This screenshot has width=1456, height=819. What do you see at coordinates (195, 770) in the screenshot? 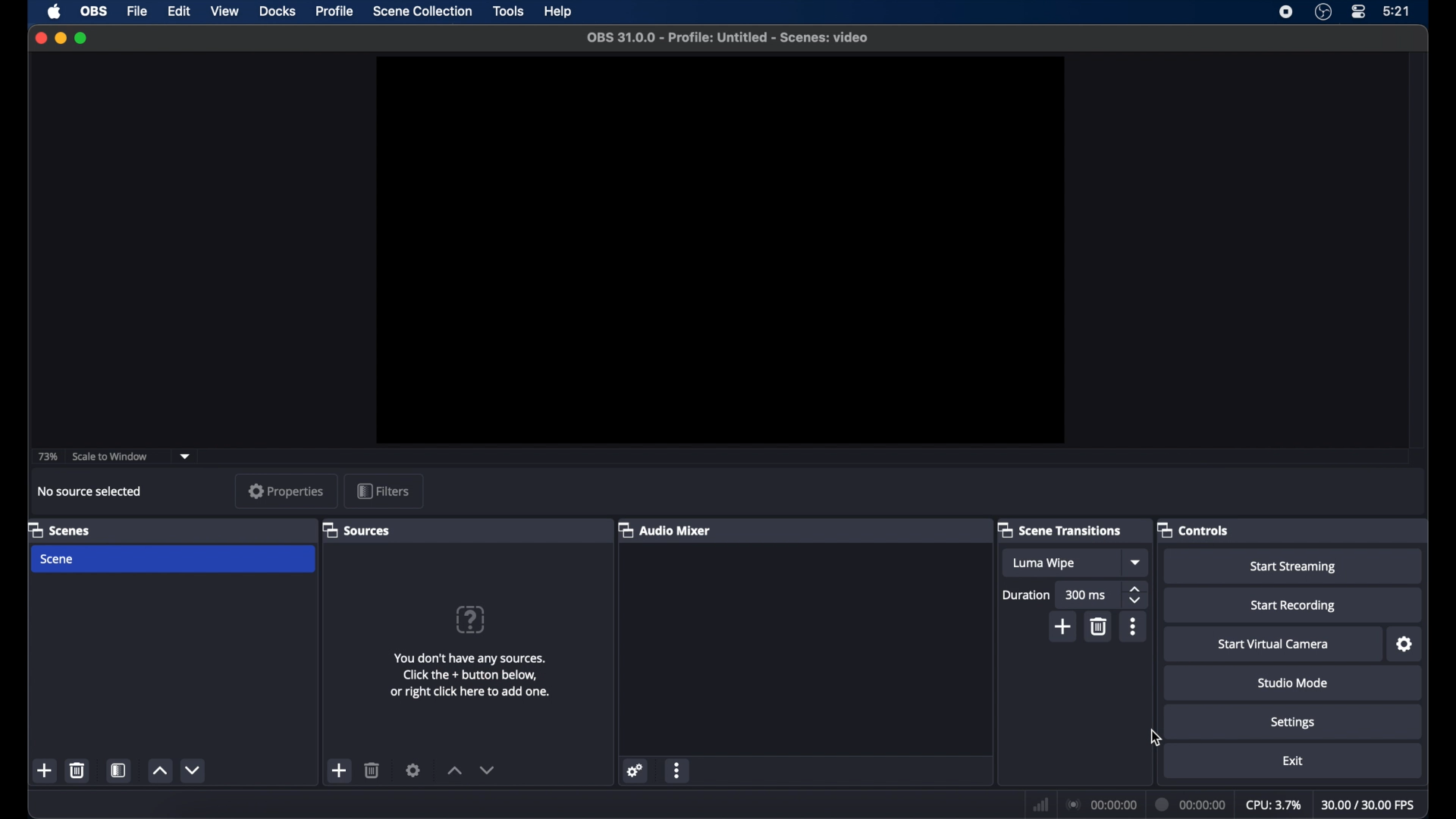
I see `decrement` at bounding box center [195, 770].